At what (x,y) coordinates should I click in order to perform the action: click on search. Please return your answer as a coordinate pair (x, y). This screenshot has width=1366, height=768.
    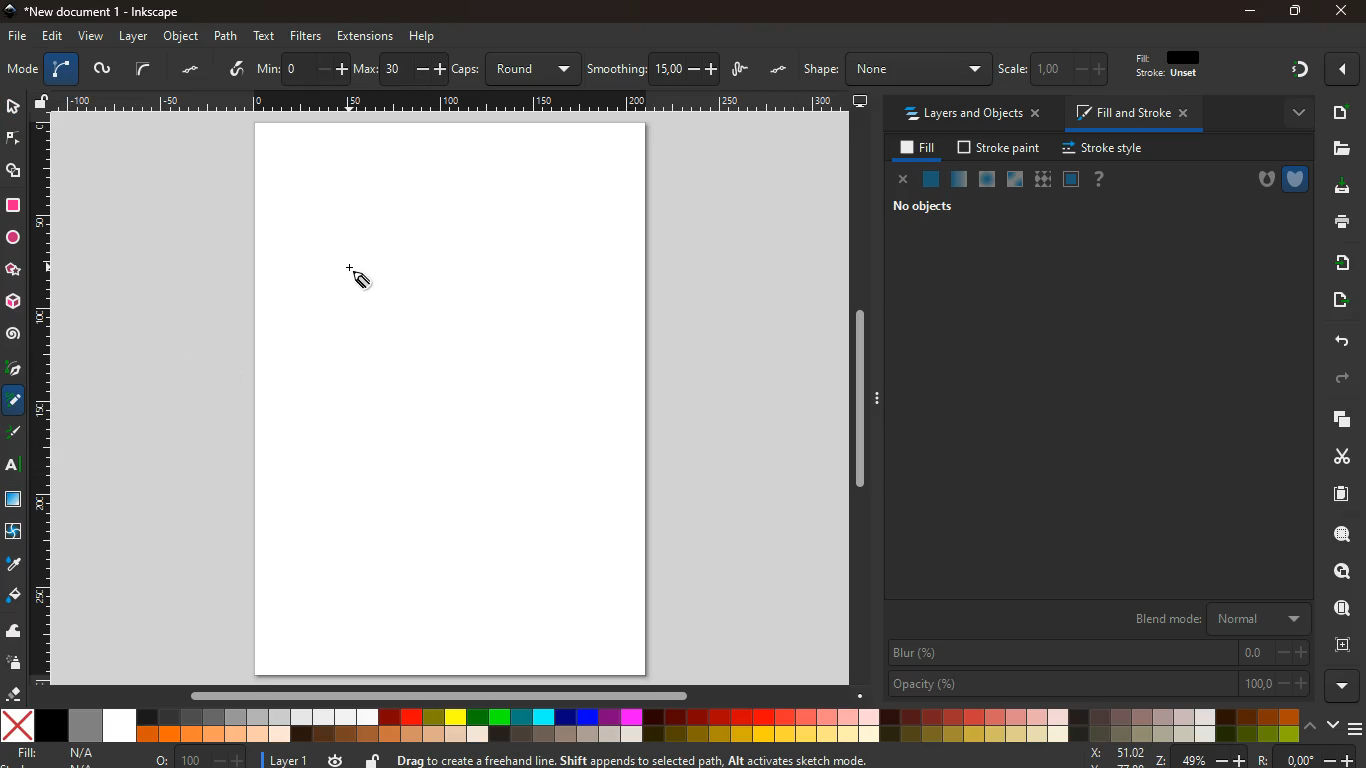
    Looking at the image, I should click on (1338, 534).